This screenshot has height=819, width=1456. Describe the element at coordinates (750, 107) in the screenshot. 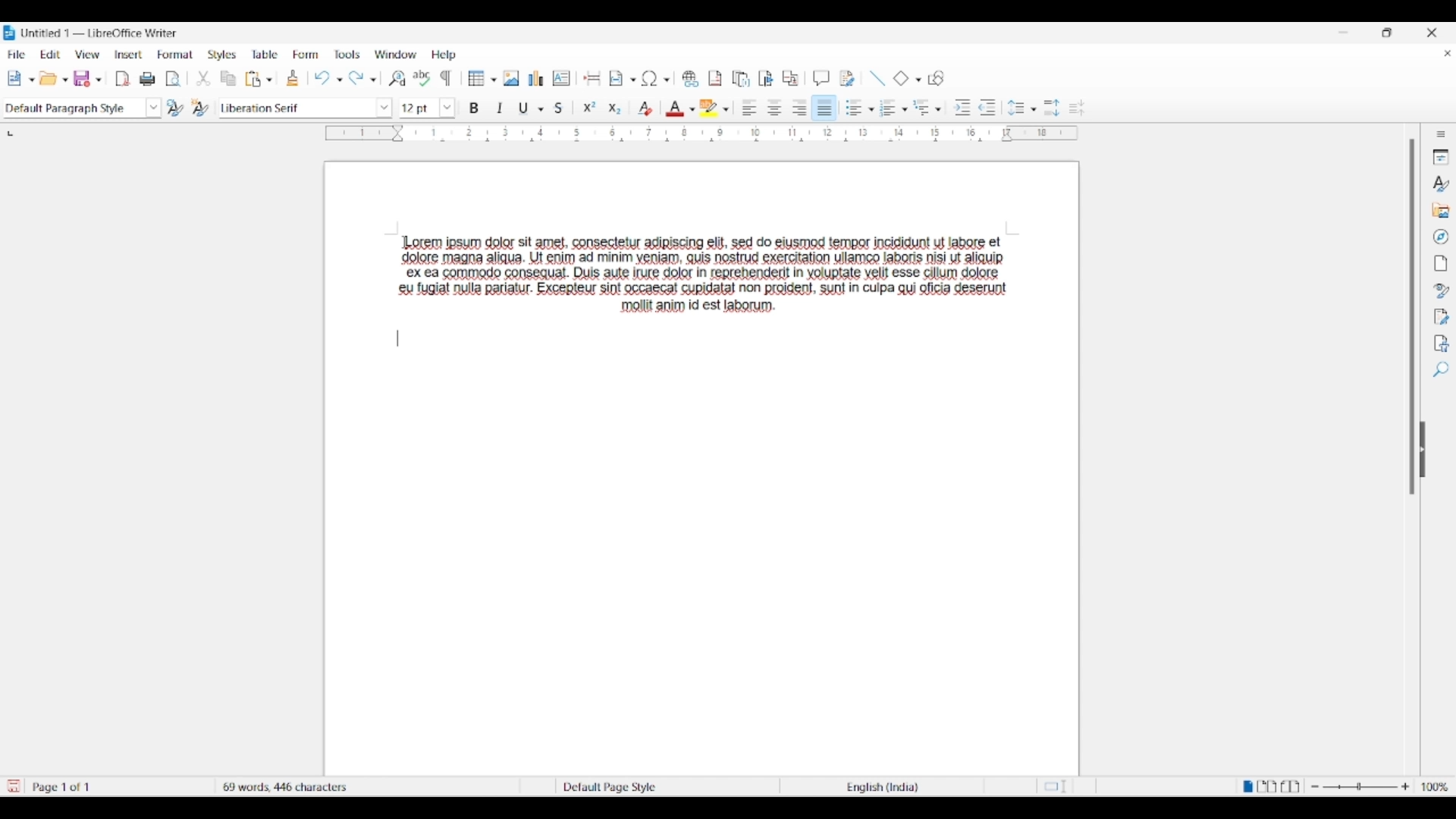

I see `Align left` at that location.